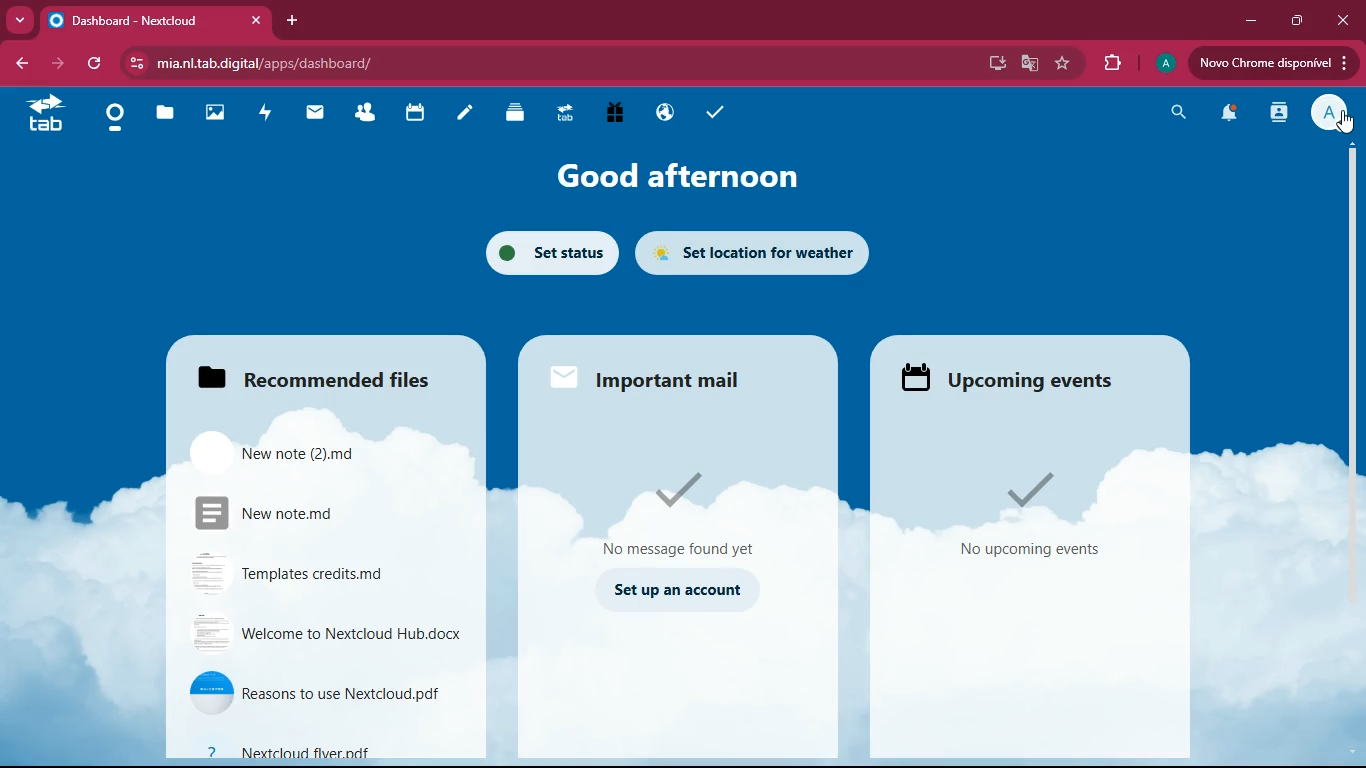  I want to click on public, so click(663, 116).